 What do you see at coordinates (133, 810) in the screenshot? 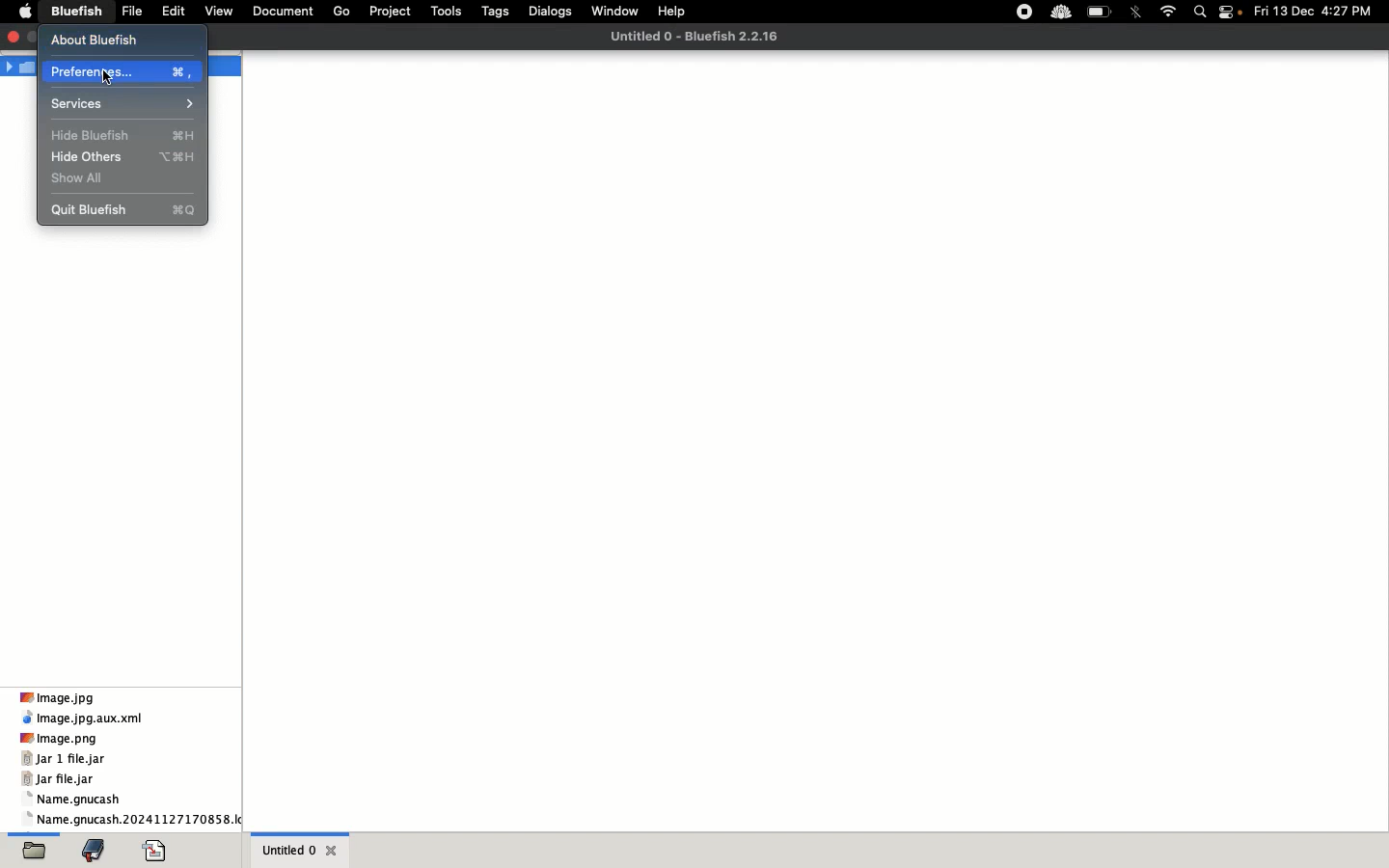
I see `Files` at bounding box center [133, 810].